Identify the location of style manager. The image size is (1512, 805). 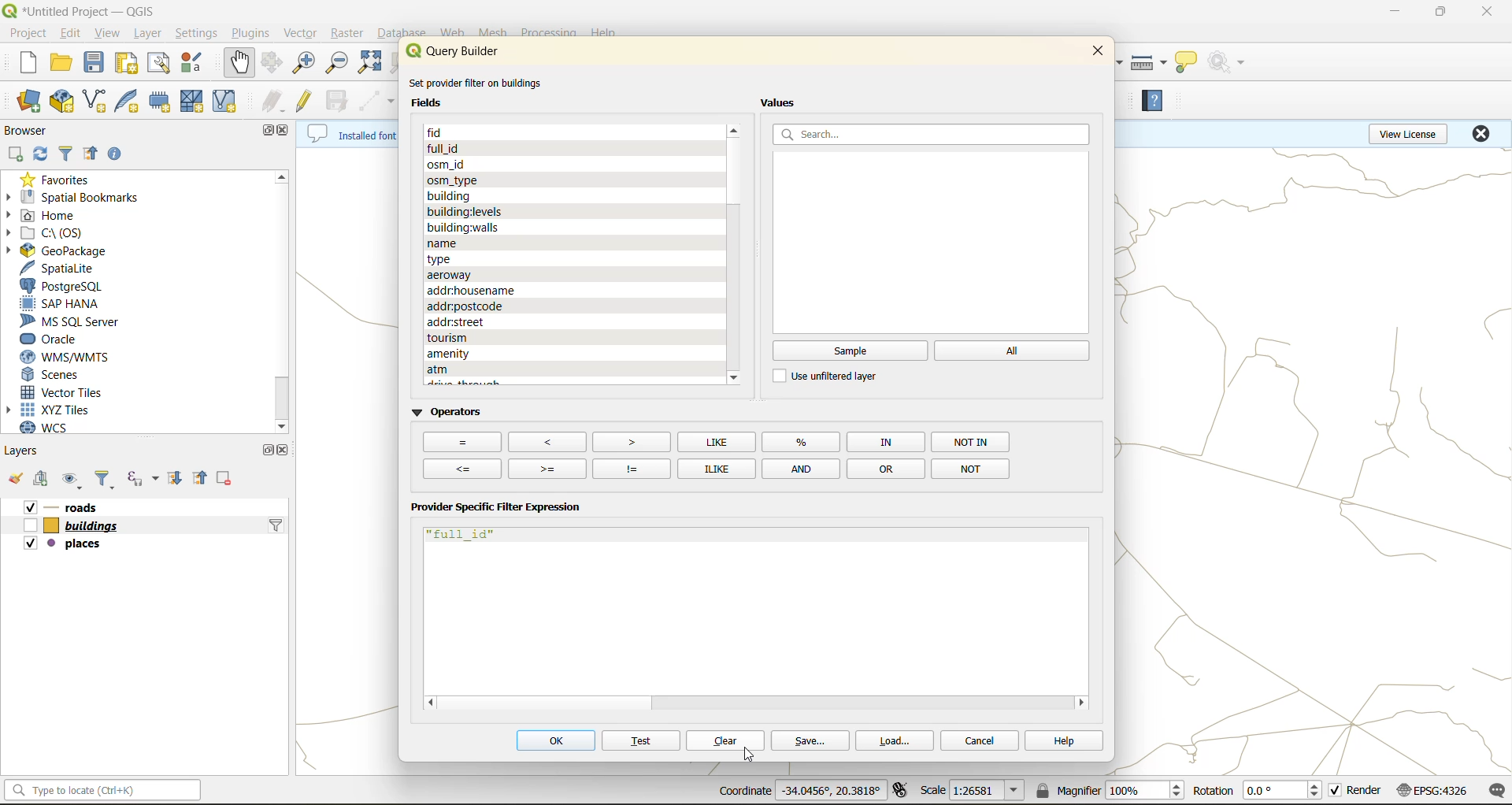
(194, 65).